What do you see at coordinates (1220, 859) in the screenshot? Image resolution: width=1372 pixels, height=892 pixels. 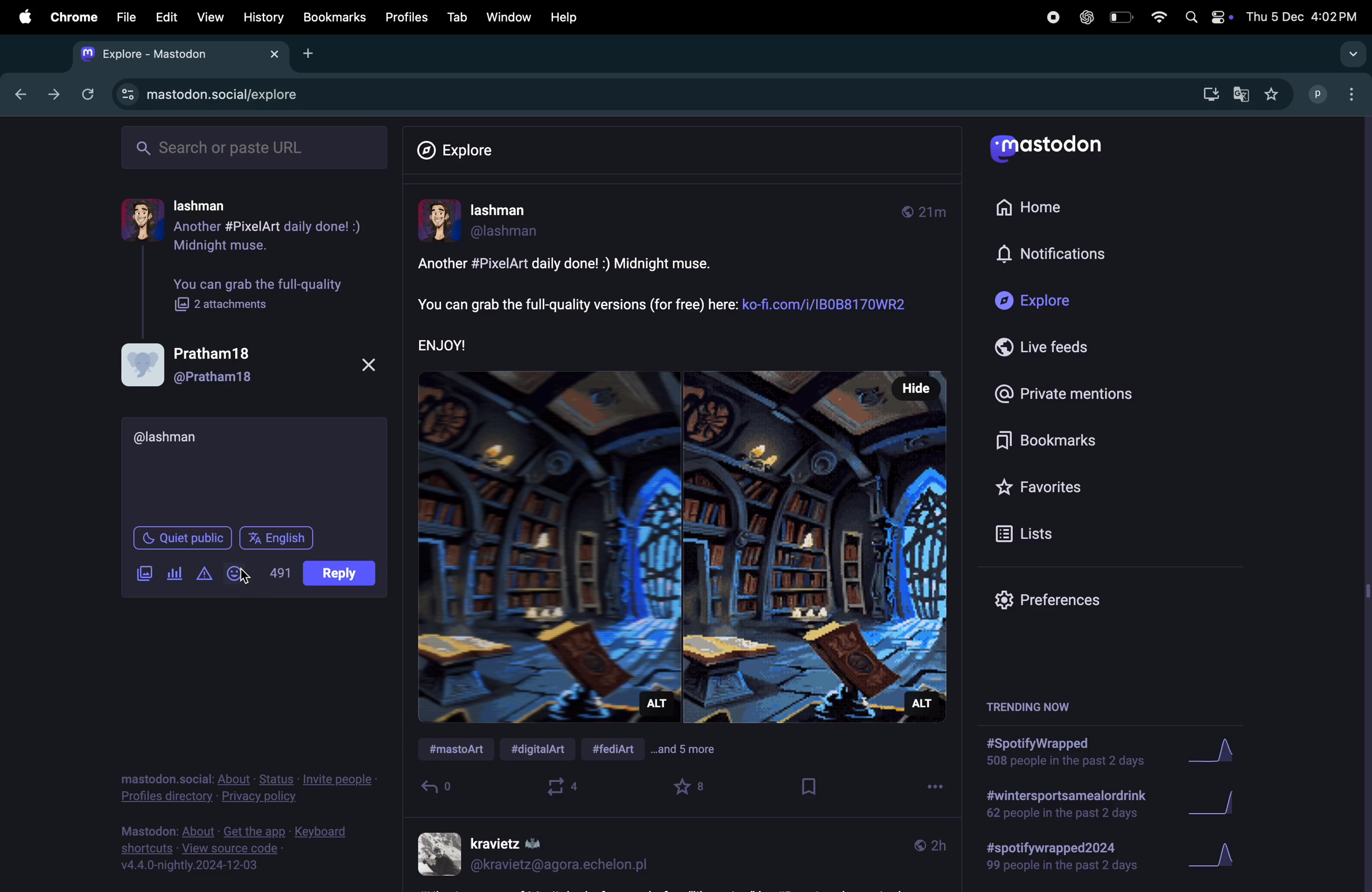 I see `graph` at bounding box center [1220, 859].